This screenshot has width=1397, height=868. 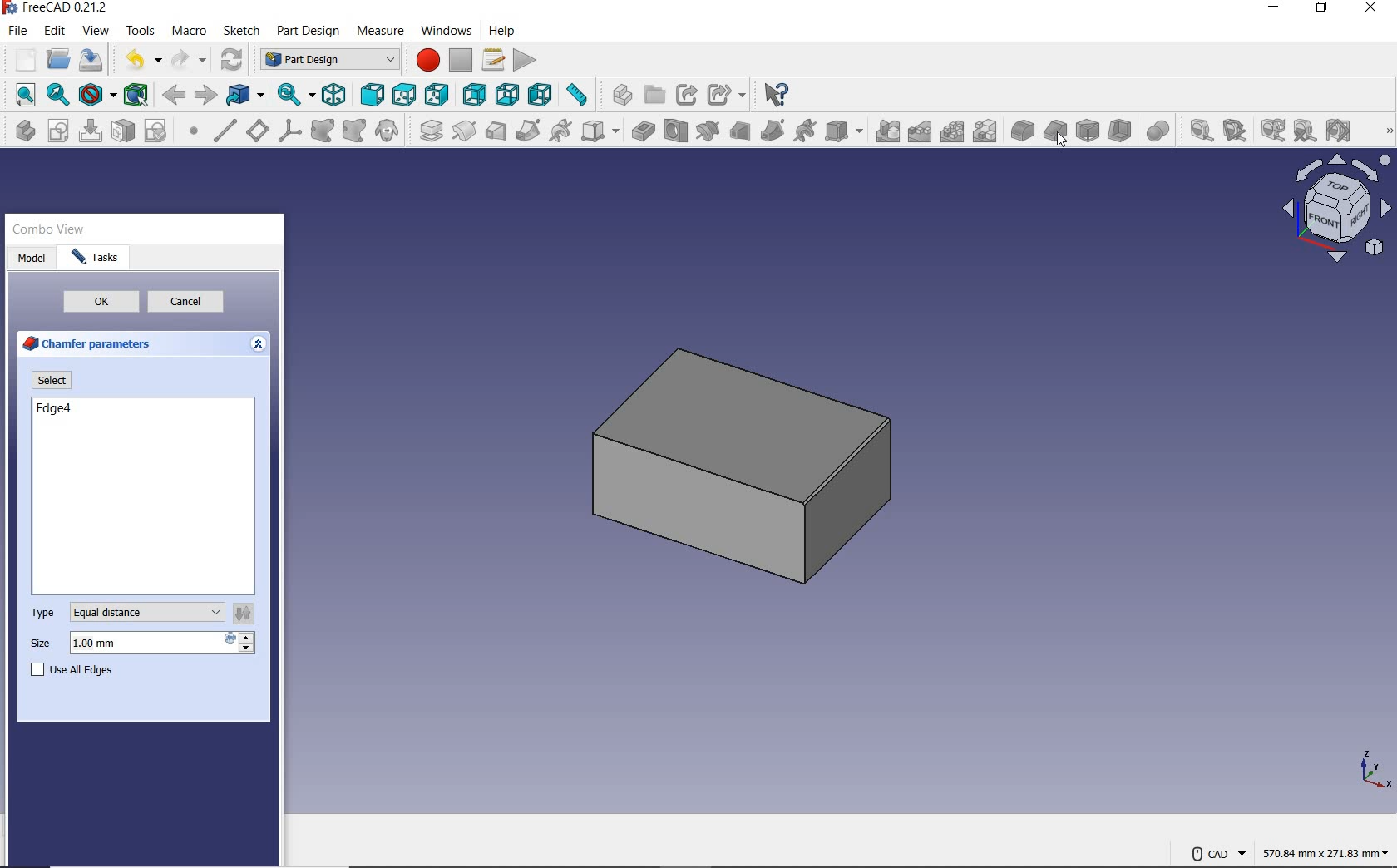 What do you see at coordinates (225, 131) in the screenshot?
I see `create a datum line` at bounding box center [225, 131].